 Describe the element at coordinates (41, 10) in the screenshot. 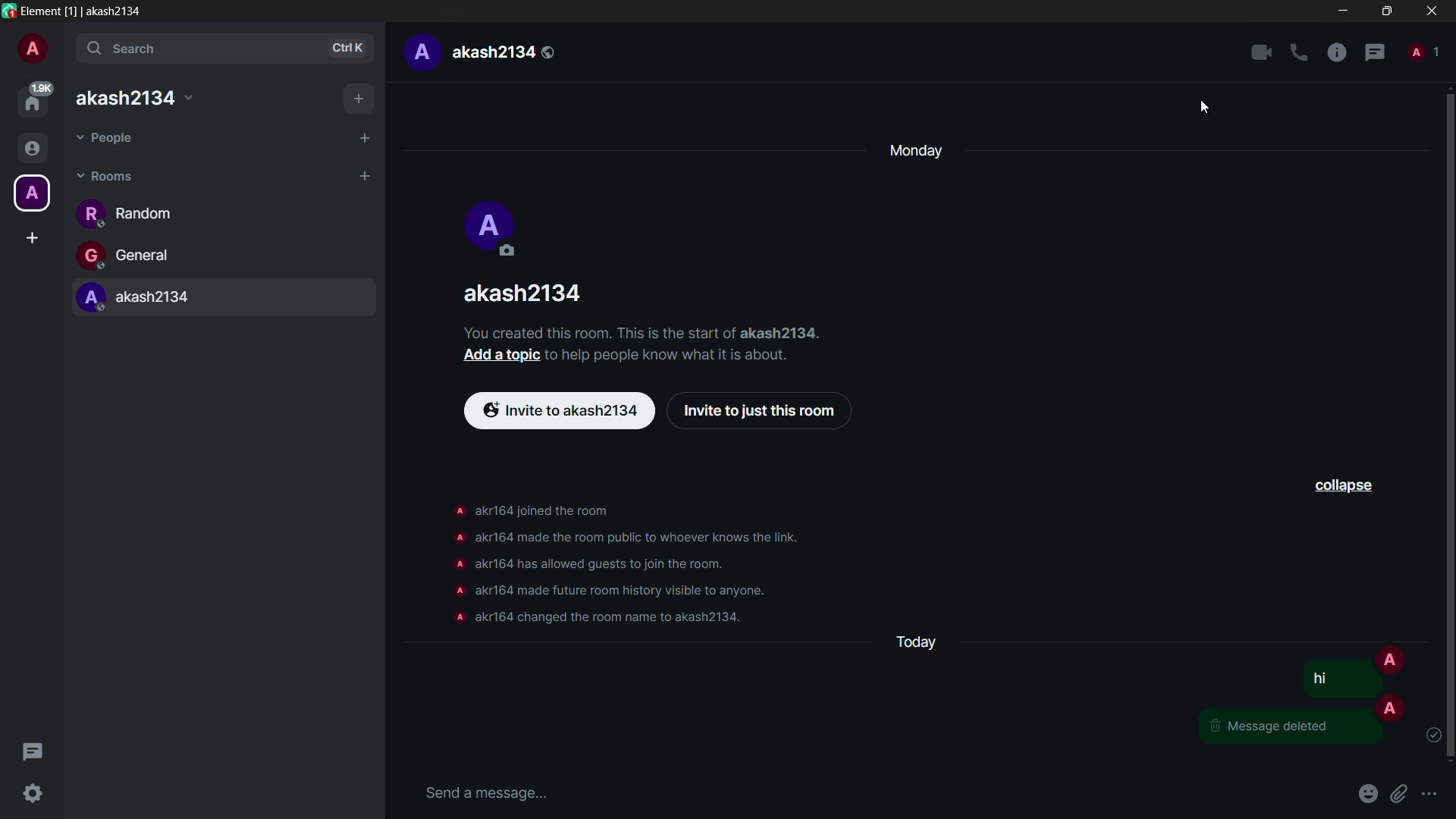

I see `Element` at that location.